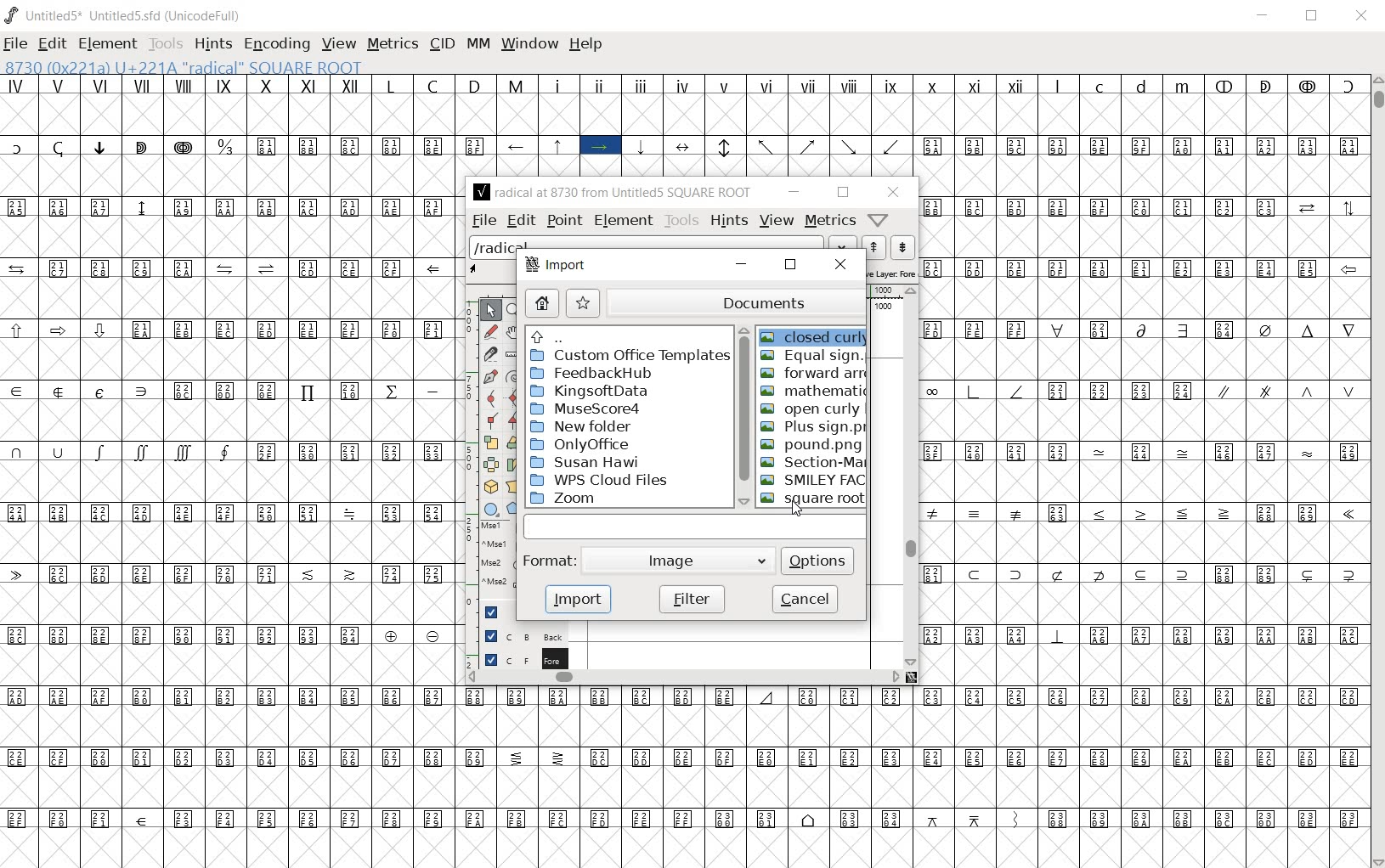 Image resolution: width=1385 pixels, height=868 pixels. What do you see at coordinates (124, 13) in the screenshot?
I see `Untitled5* Untitled5.sfd (UnicodeFull)` at bounding box center [124, 13].